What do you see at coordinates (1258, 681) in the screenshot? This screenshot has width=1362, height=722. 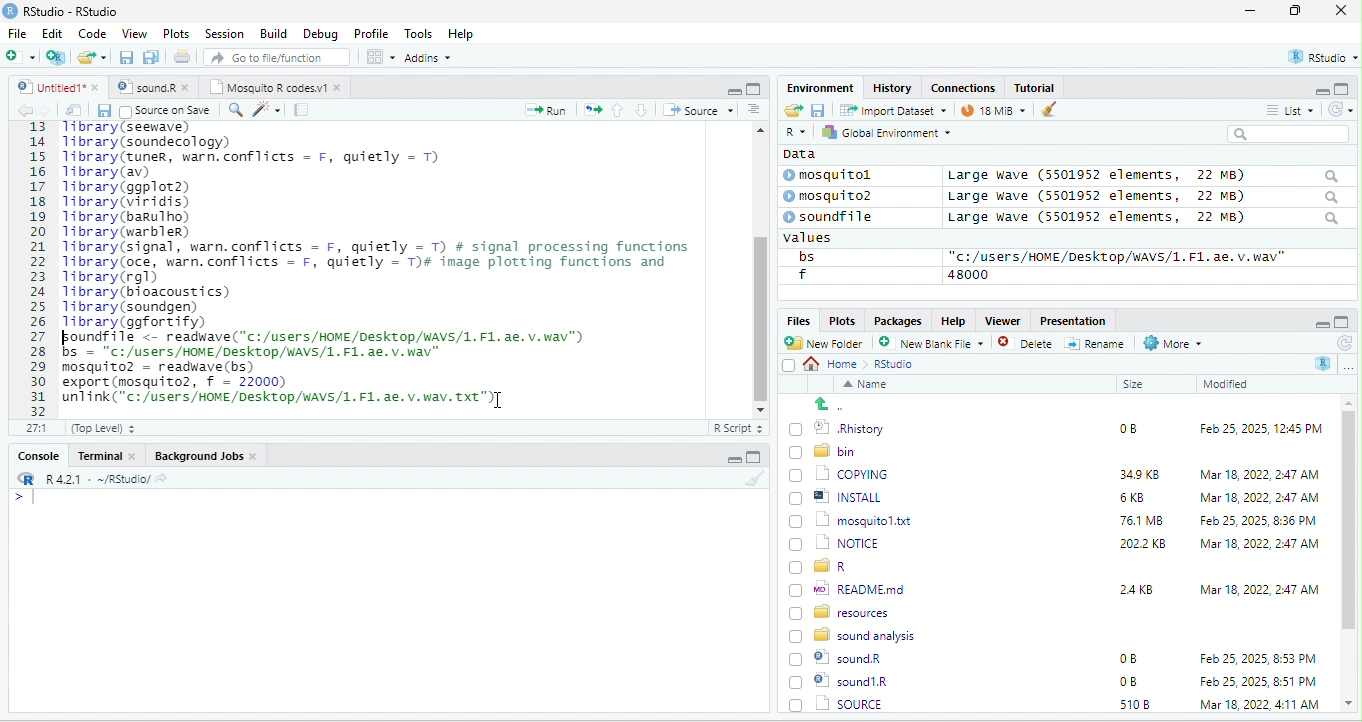 I see `Mar 18, 2022, 4:11 AM` at bounding box center [1258, 681].